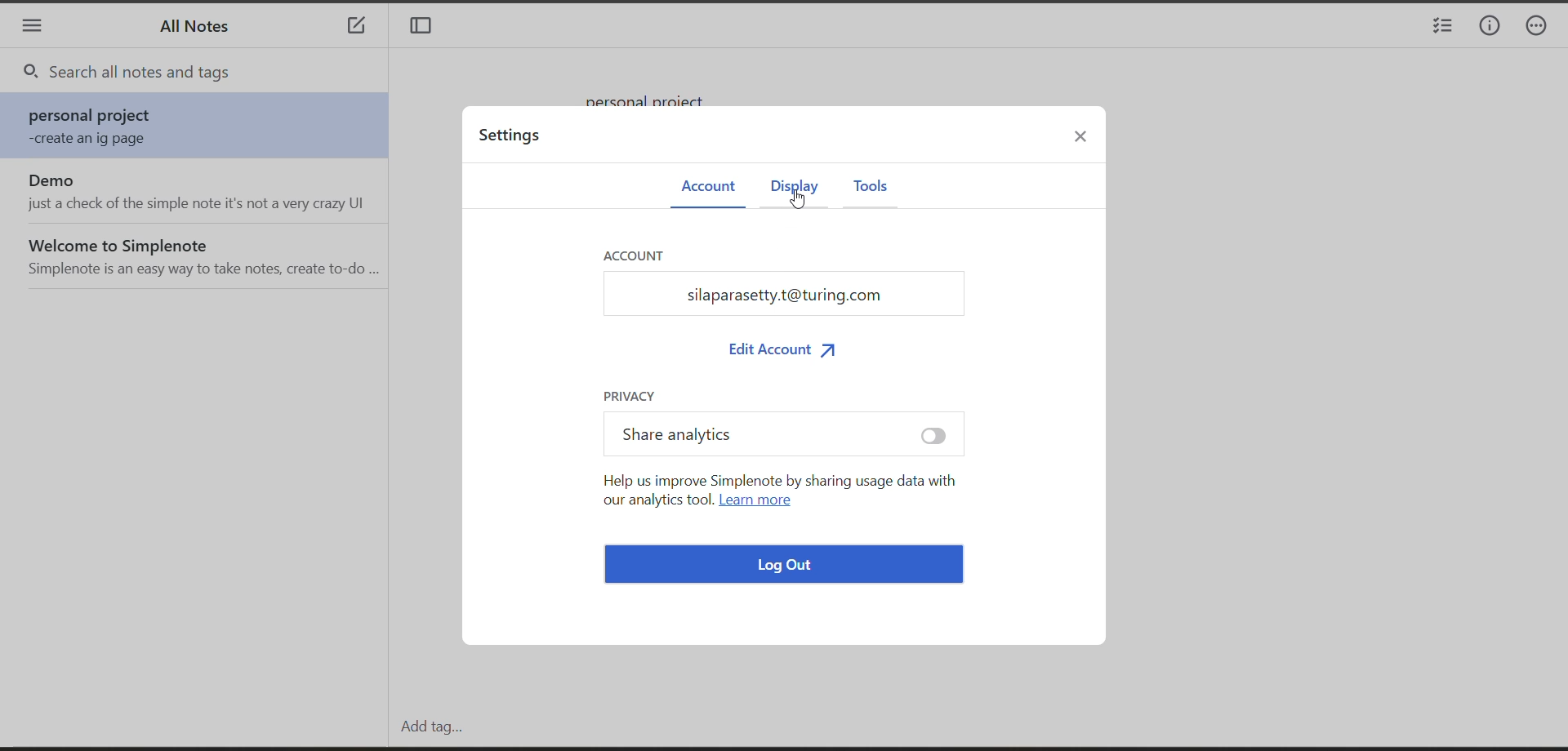 This screenshot has height=751, width=1568. What do you see at coordinates (784, 349) in the screenshot?
I see `edit account` at bounding box center [784, 349].